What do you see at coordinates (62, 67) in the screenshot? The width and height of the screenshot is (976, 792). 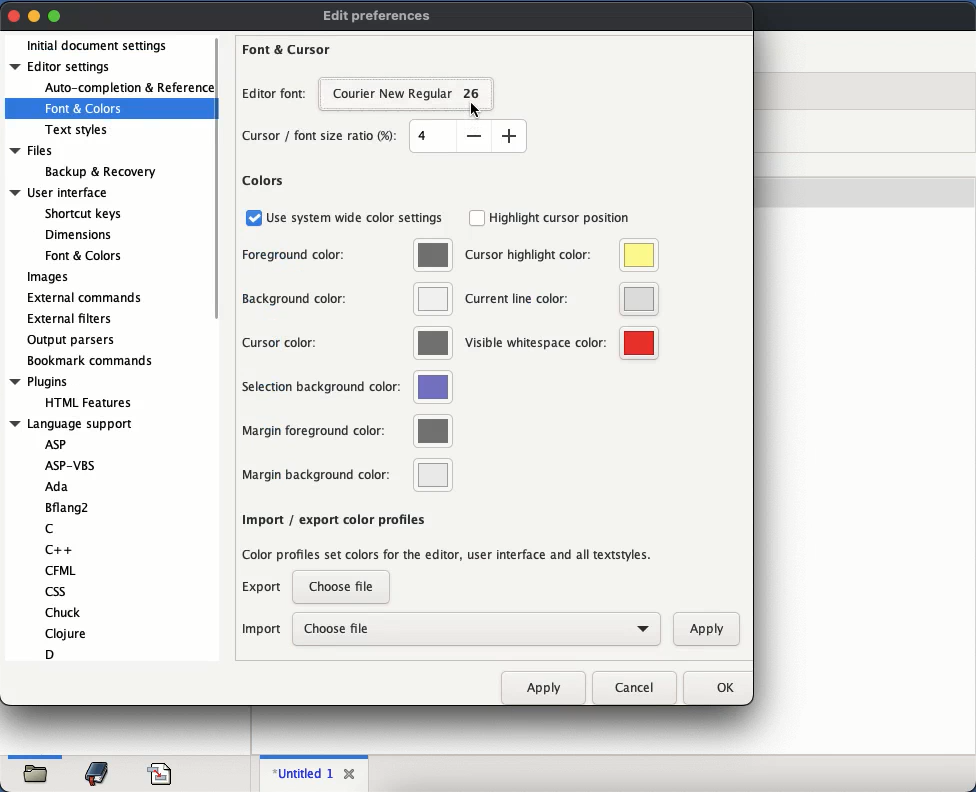 I see `editor settings` at bounding box center [62, 67].